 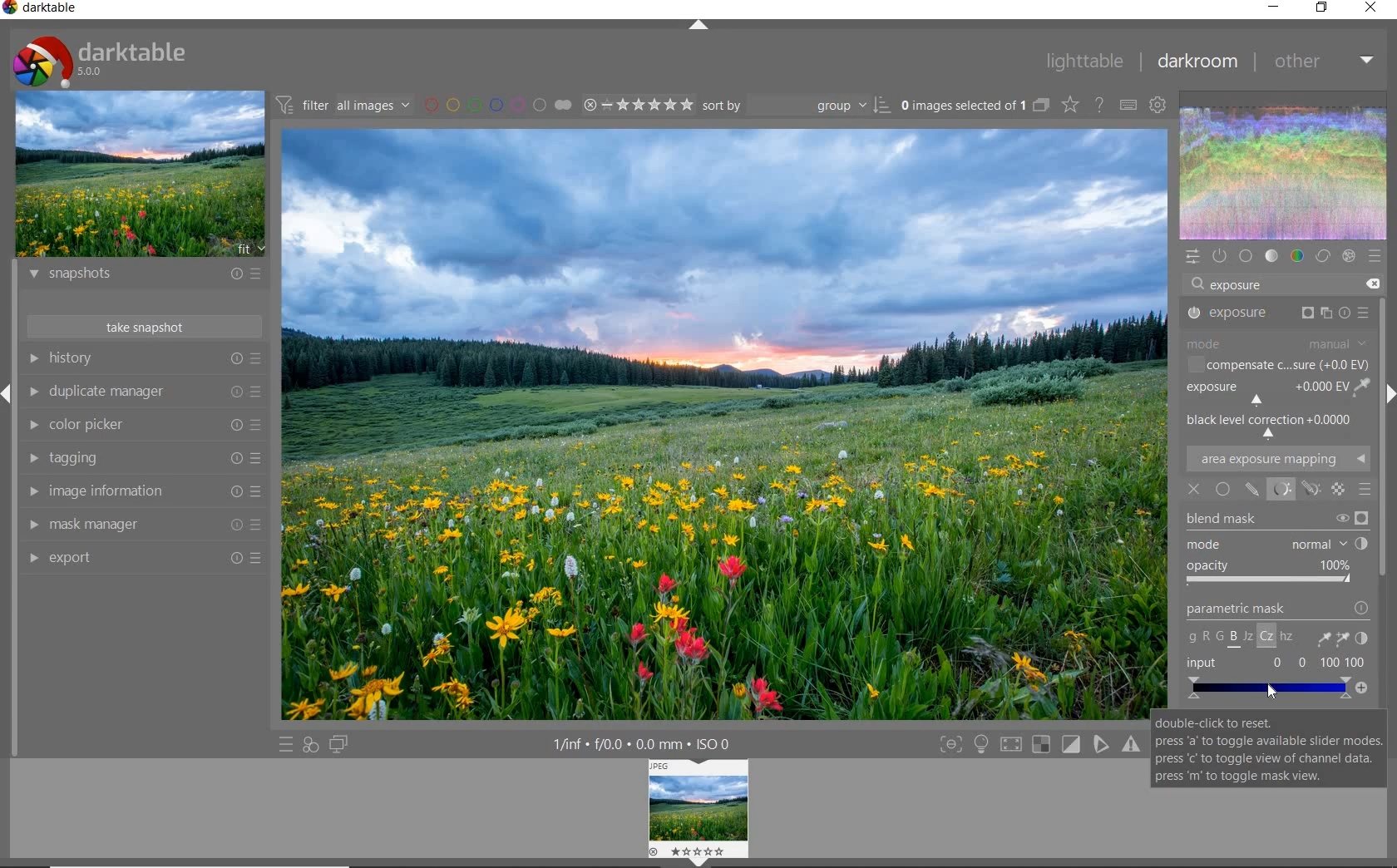 What do you see at coordinates (146, 559) in the screenshot?
I see `export` at bounding box center [146, 559].